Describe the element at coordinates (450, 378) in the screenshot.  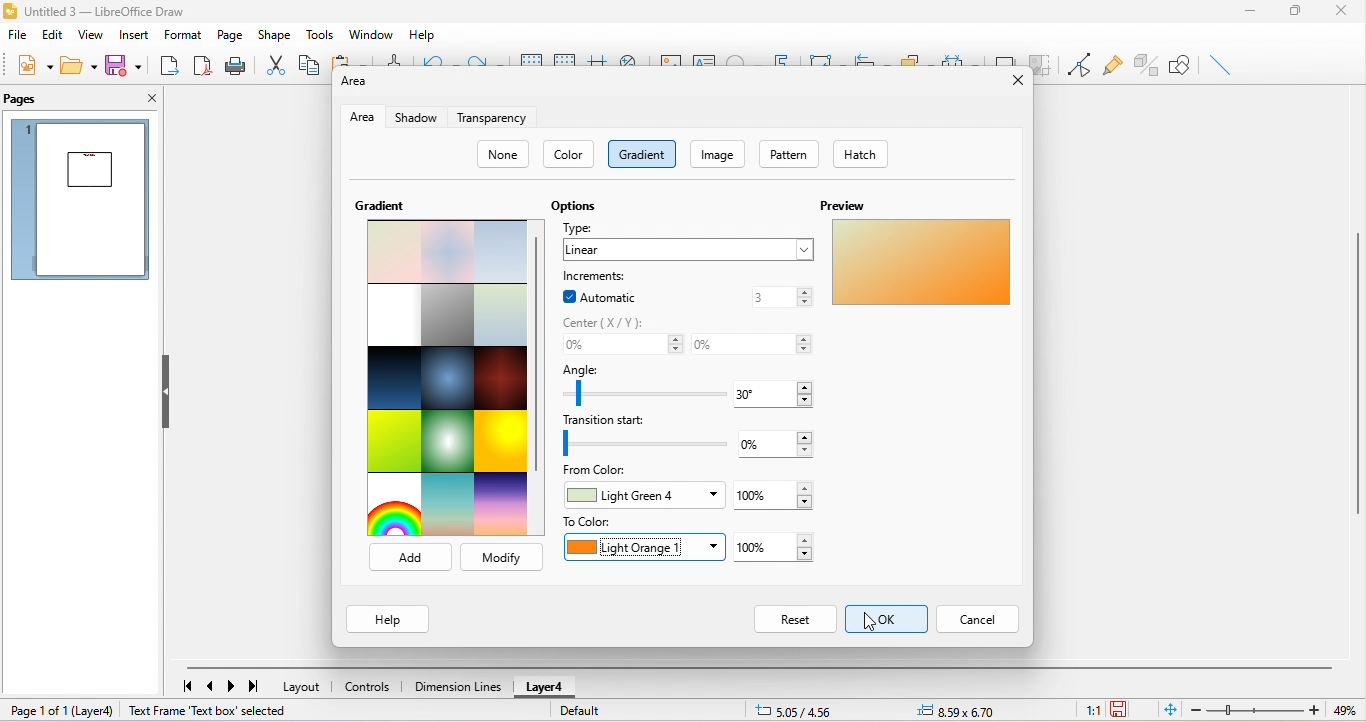
I see `deep ocean` at that location.